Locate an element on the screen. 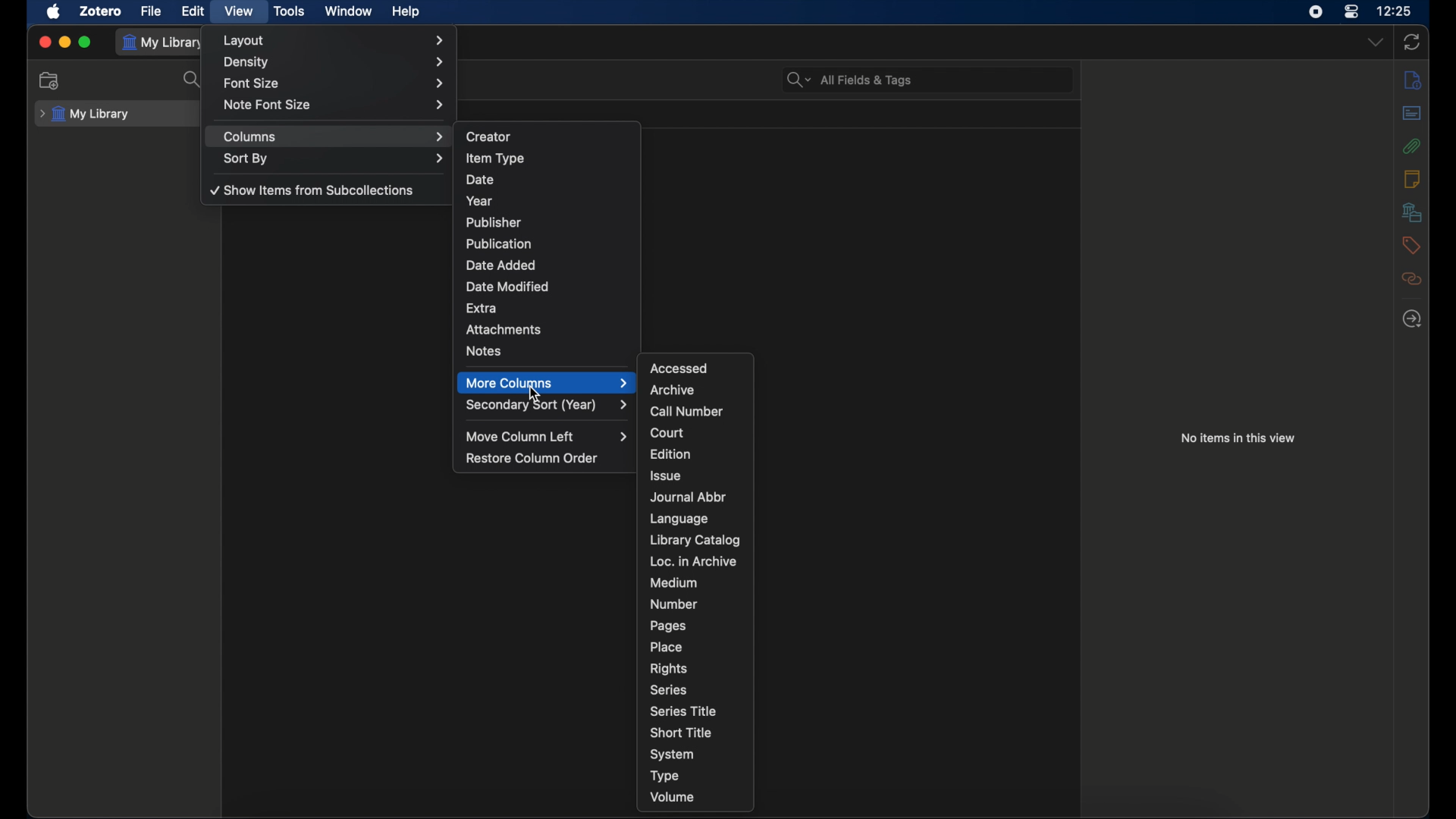  tools is located at coordinates (290, 11).